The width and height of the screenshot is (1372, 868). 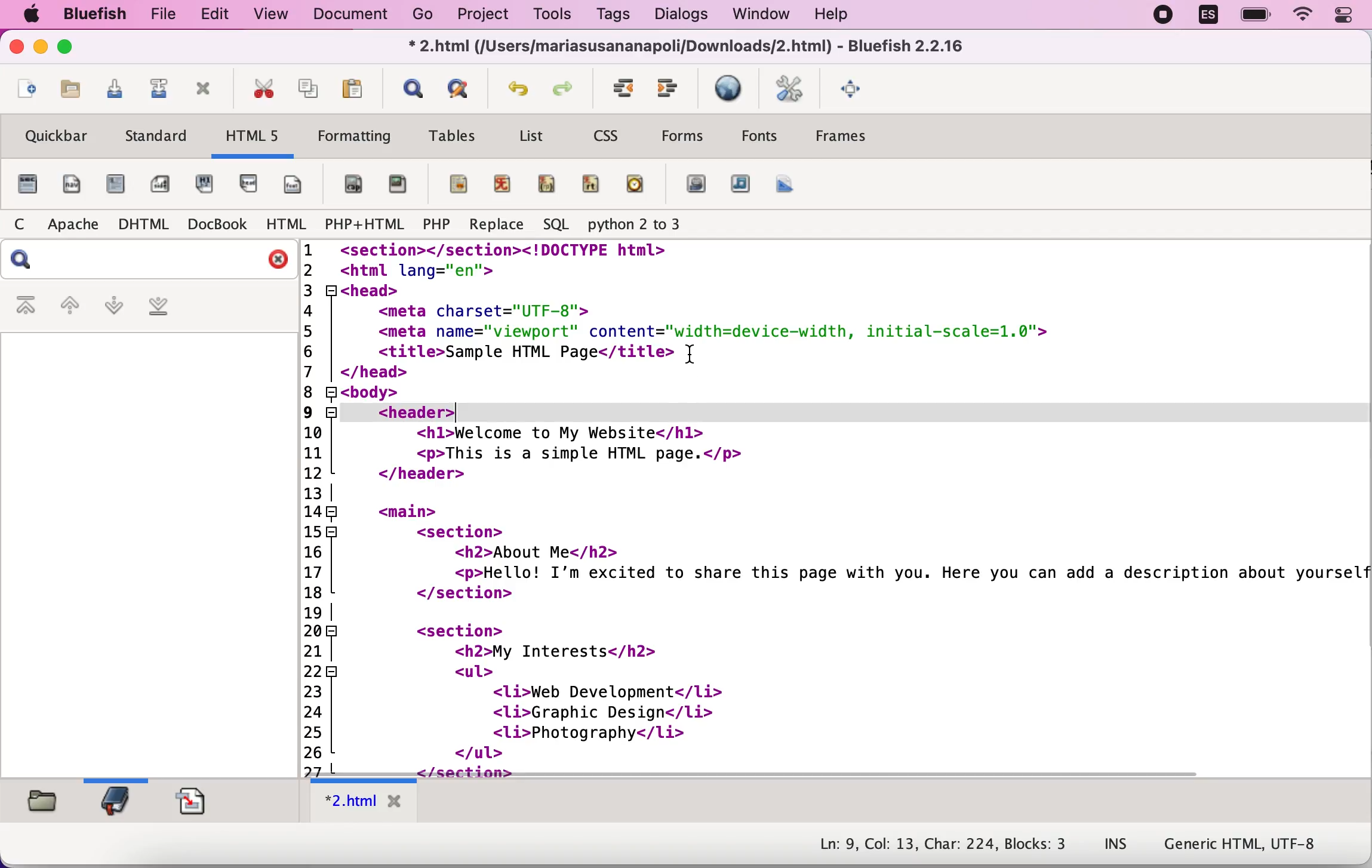 What do you see at coordinates (790, 89) in the screenshot?
I see `edit preferences` at bounding box center [790, 89].